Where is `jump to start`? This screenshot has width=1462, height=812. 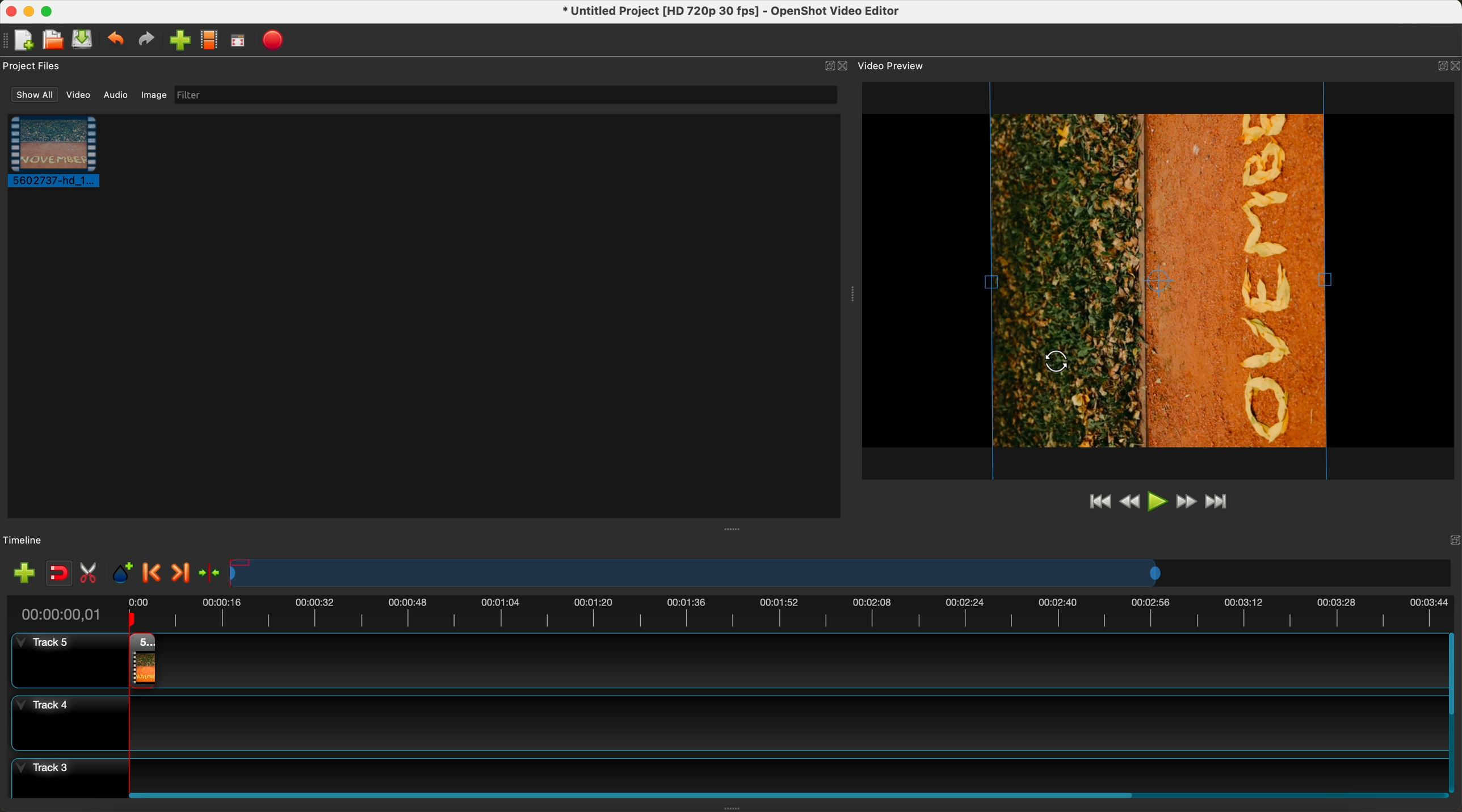 jump to start is located at coordinates (1098, 503).